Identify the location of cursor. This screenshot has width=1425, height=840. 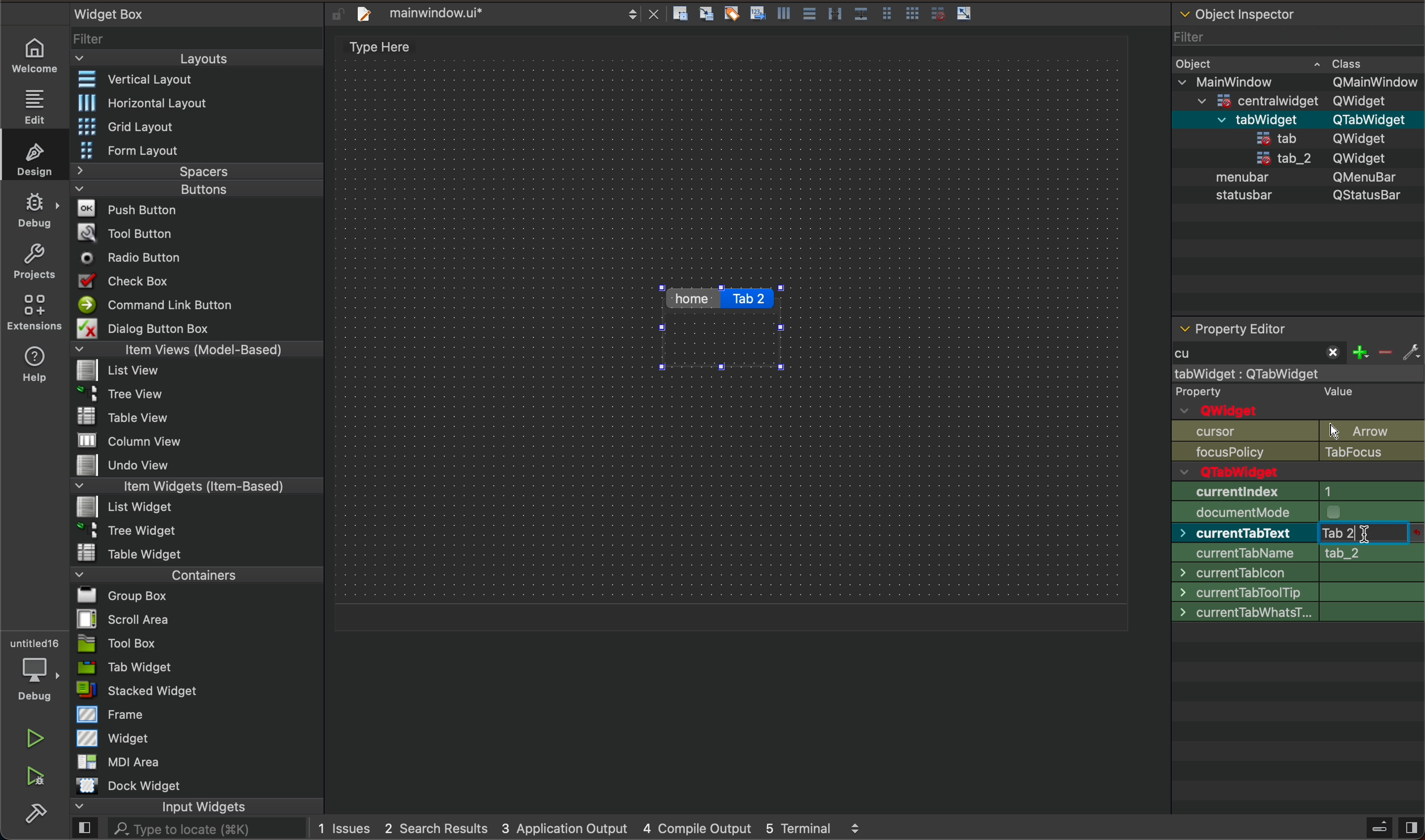
(1296, 652).